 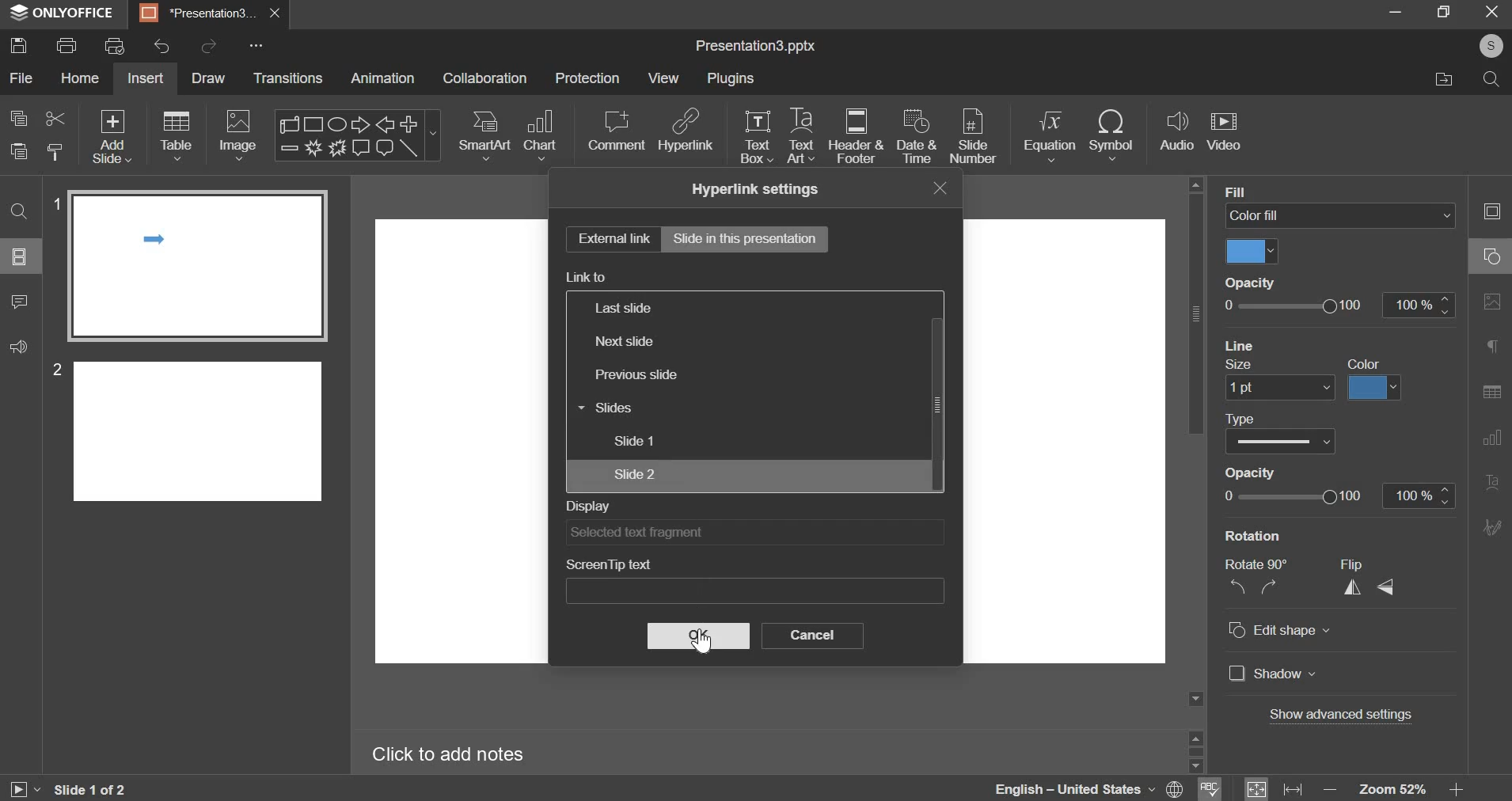 What do you see at coordinates (382, 78) in the screenshot?
I see `animation` at bounding box center [382, 78].